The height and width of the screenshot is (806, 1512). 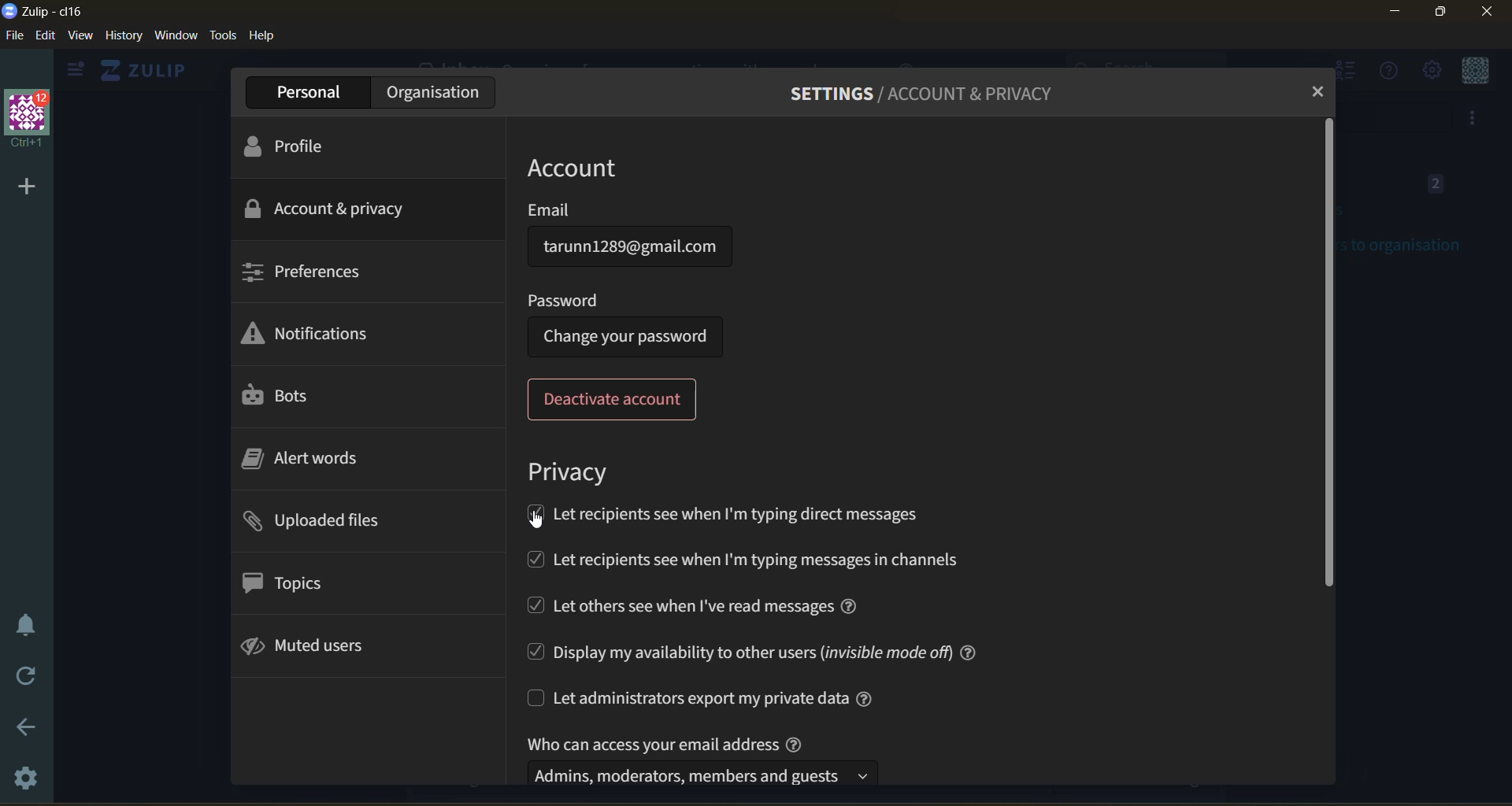 I want to click on tools, so click(x=223, y=35).